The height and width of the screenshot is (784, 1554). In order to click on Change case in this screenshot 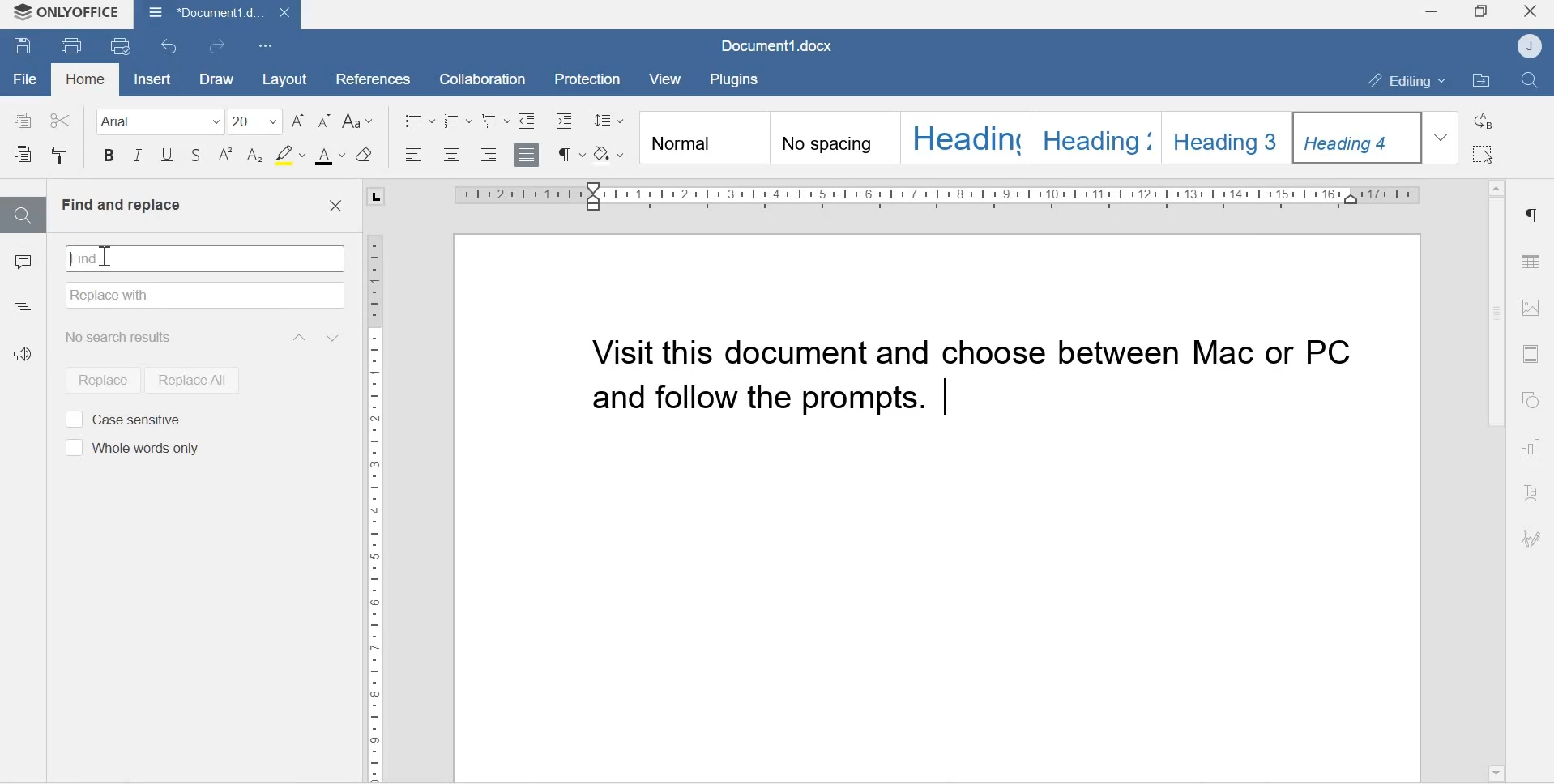, I will do `click(361, 121)`.